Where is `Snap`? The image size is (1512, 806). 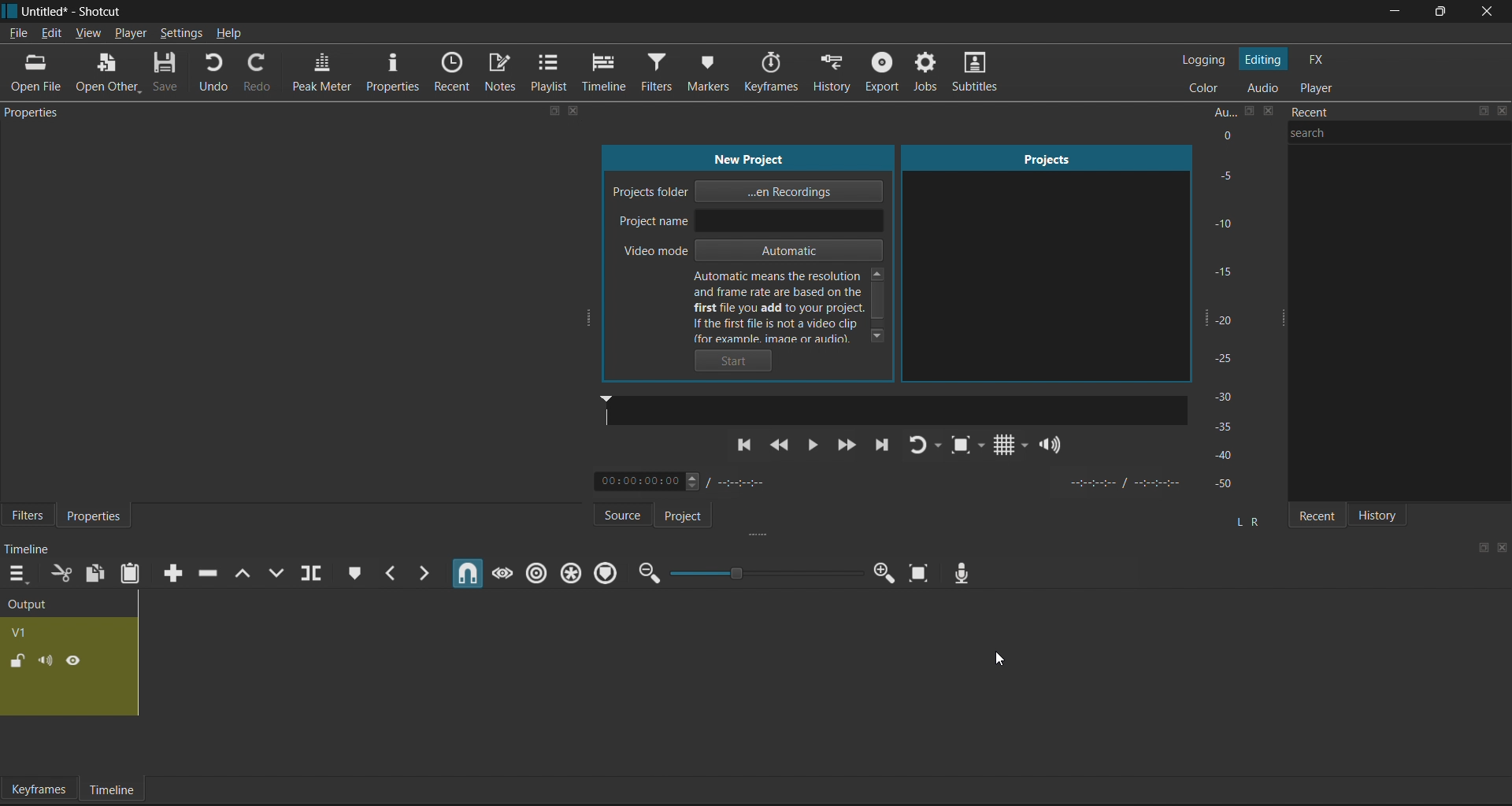 Snap is located at coordinates (465, 574).